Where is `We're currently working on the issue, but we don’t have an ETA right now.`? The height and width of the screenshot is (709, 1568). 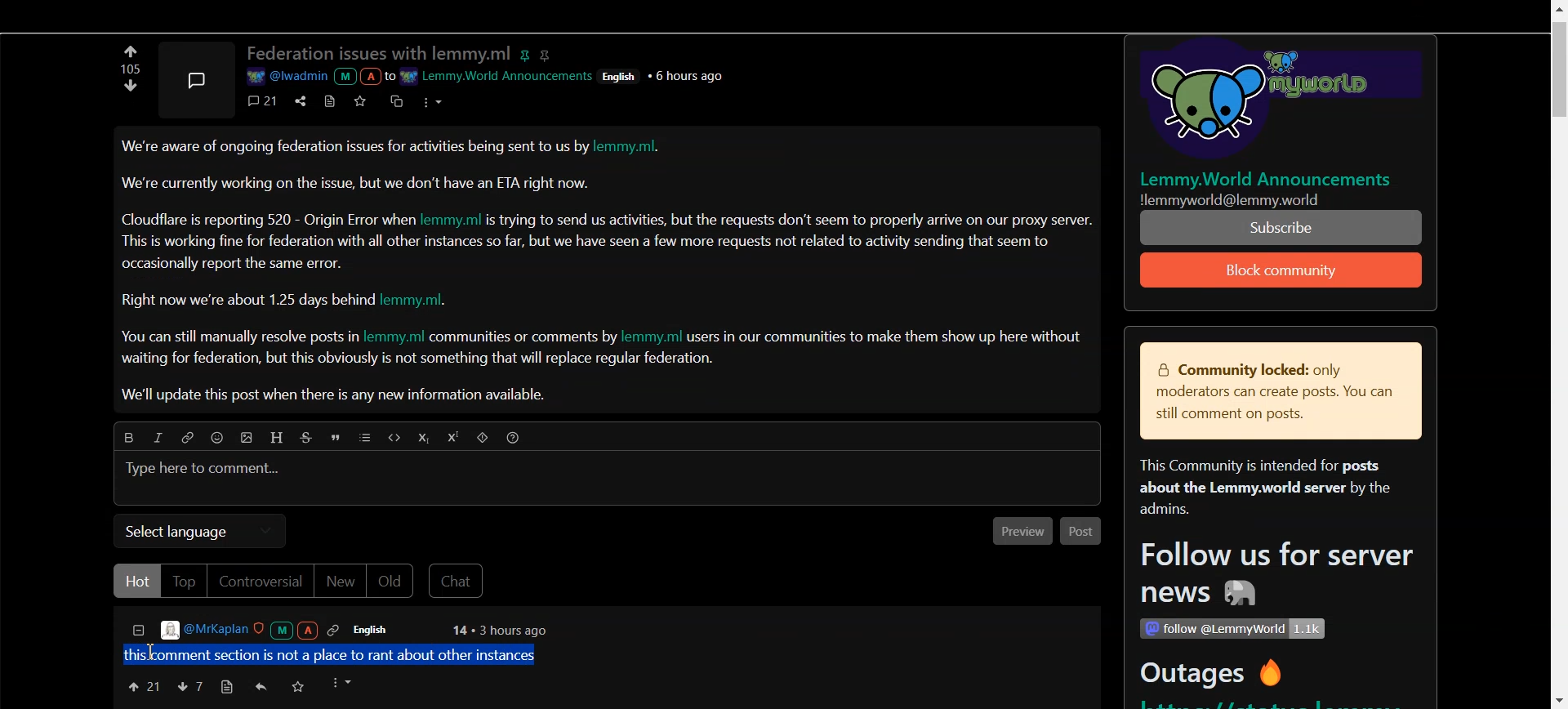
We're currently working on the issue, but we don’t have an ETA right now. is located at coordinates (357, 183).